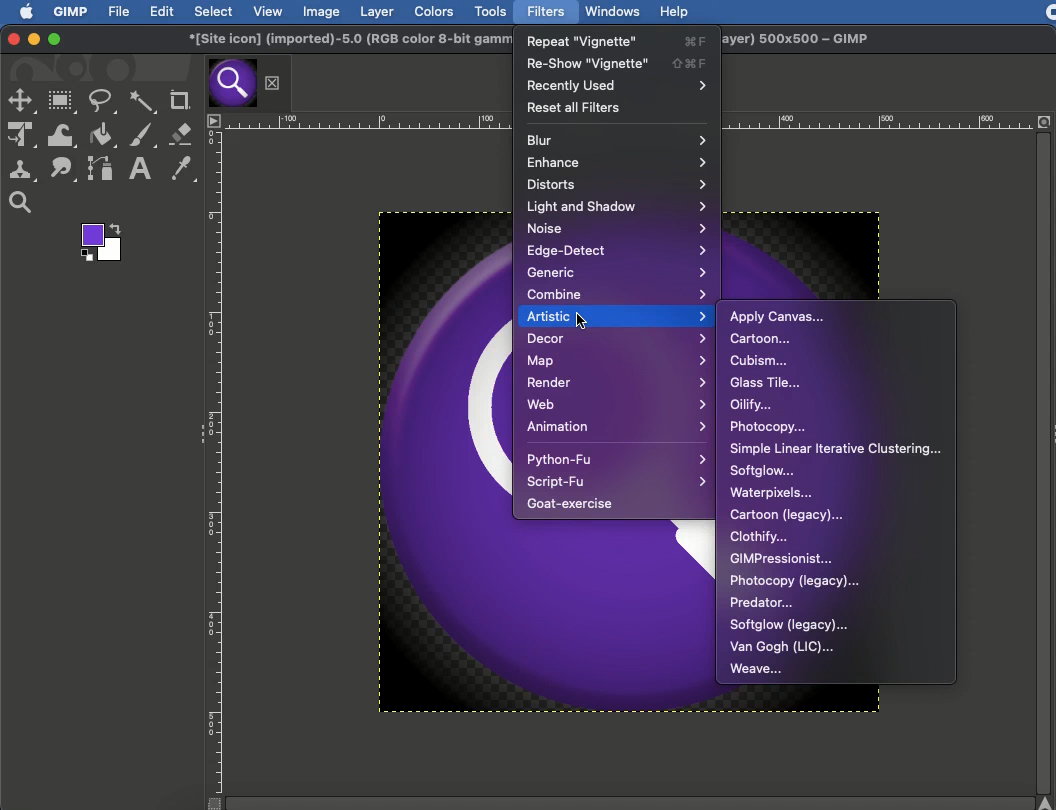 The image size is (1056, 810). I want to click on Predator, so click(761, 601).